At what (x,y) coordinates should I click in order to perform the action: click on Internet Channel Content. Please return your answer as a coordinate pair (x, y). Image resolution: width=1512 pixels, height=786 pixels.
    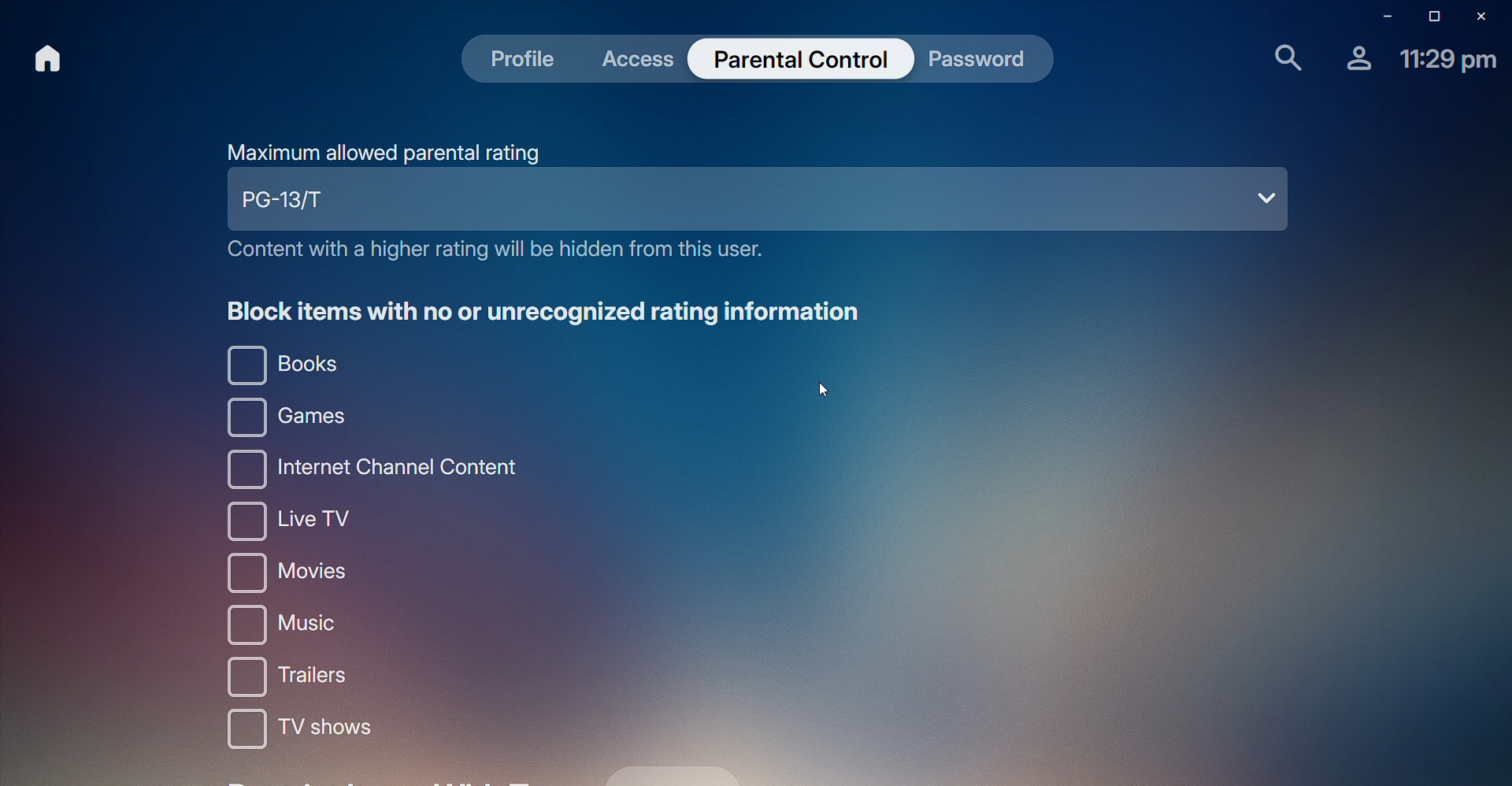
    Looking at the image, I should click on (367, 469).